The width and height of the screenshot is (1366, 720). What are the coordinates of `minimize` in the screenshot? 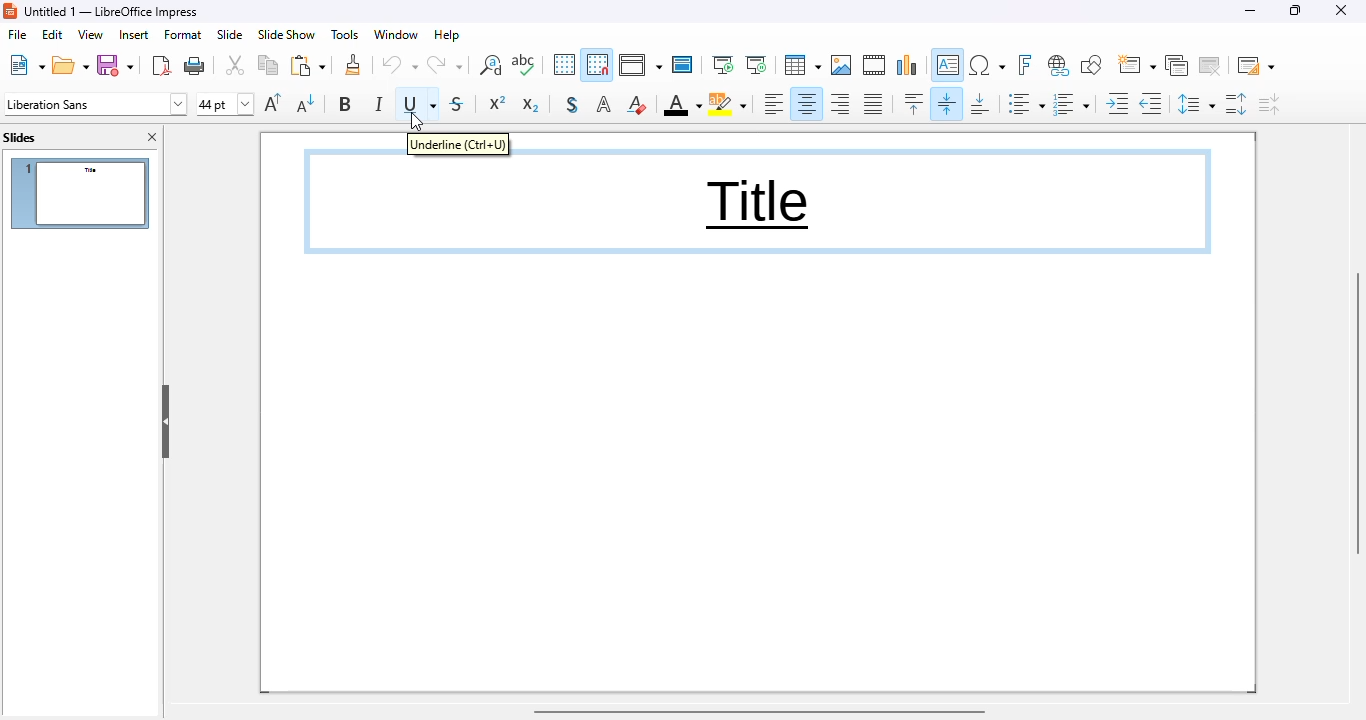 It's located at (1250, 11).